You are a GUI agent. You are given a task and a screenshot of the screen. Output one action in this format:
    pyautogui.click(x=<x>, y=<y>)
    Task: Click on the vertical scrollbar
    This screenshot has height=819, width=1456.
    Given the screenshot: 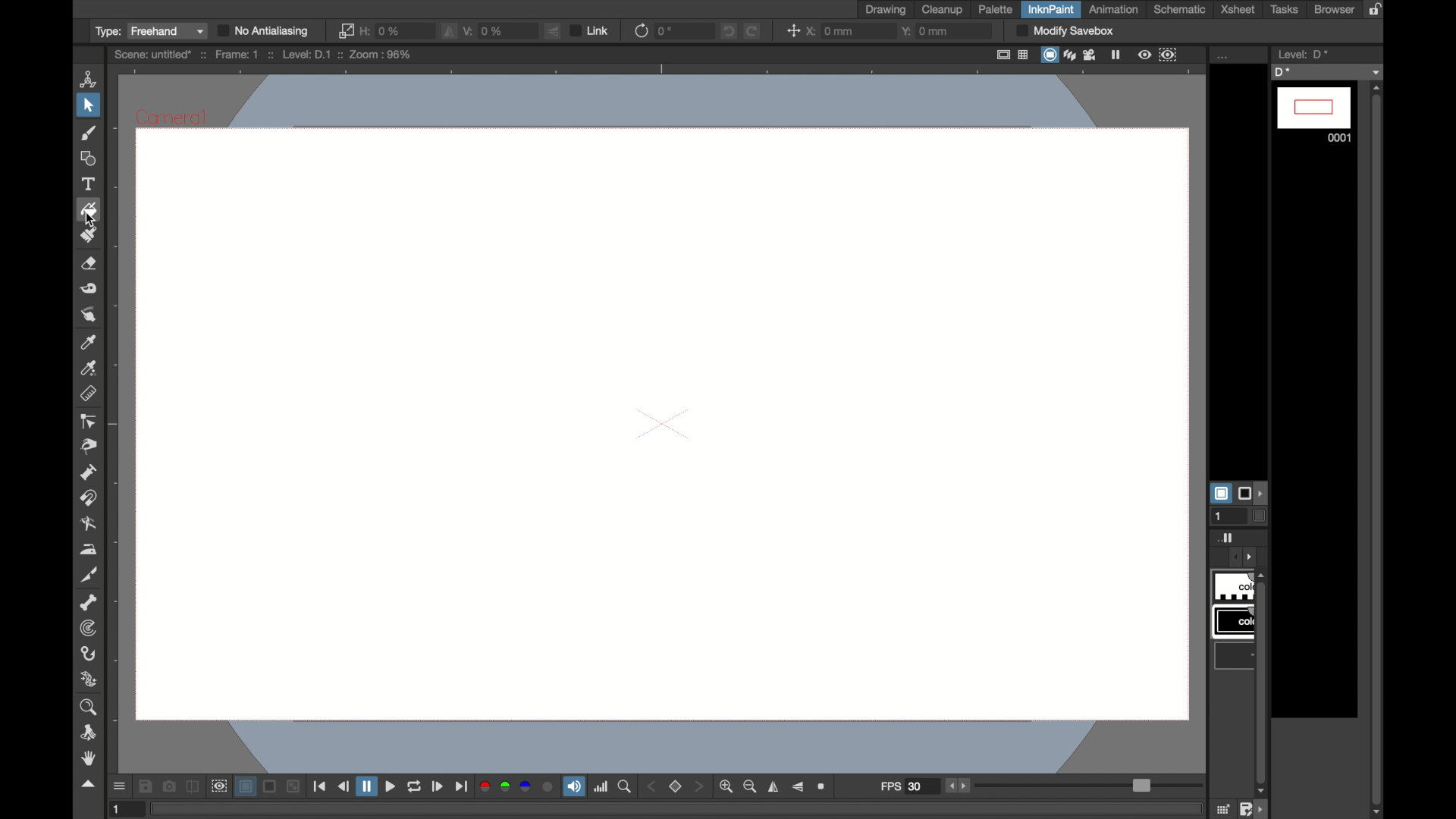 What is the action you would take?
    pyautogui.click(x=1377, y=451)
    